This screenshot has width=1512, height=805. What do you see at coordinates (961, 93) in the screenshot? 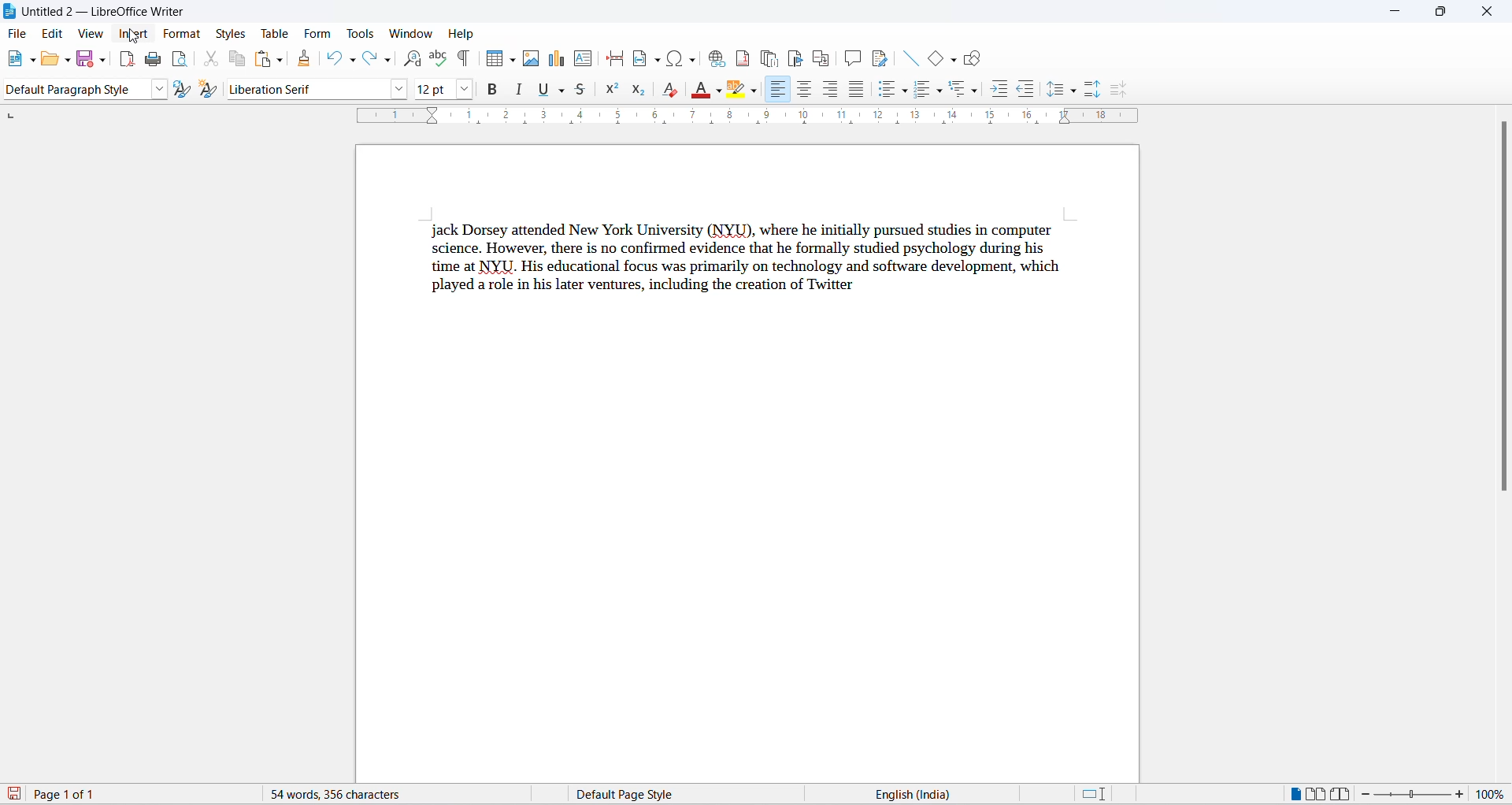
I see `select outline format` at bounding box center [961, 93].